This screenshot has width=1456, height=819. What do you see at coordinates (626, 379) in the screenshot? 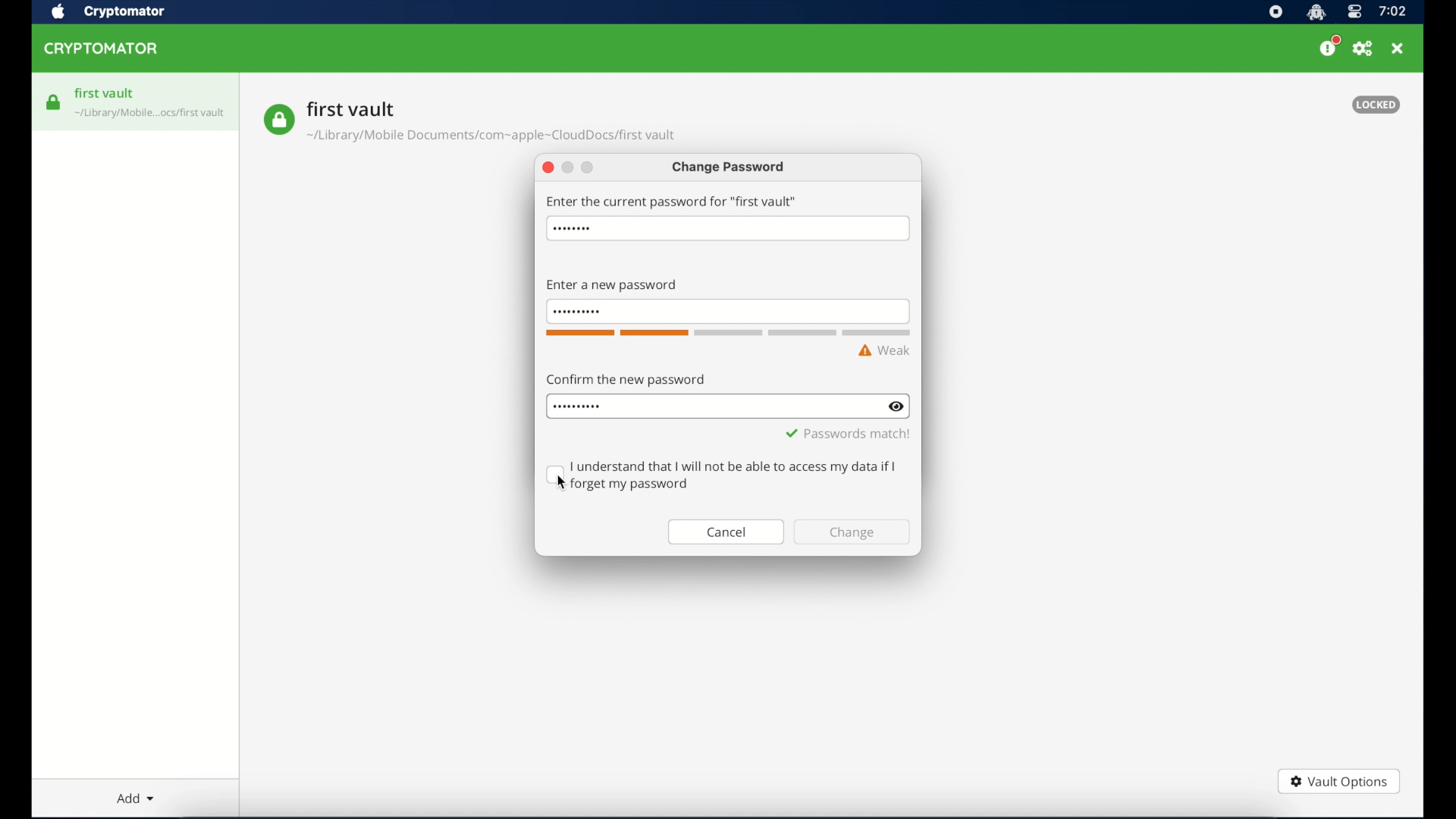
I see `confirm the password` at bounding box center [626, 379].